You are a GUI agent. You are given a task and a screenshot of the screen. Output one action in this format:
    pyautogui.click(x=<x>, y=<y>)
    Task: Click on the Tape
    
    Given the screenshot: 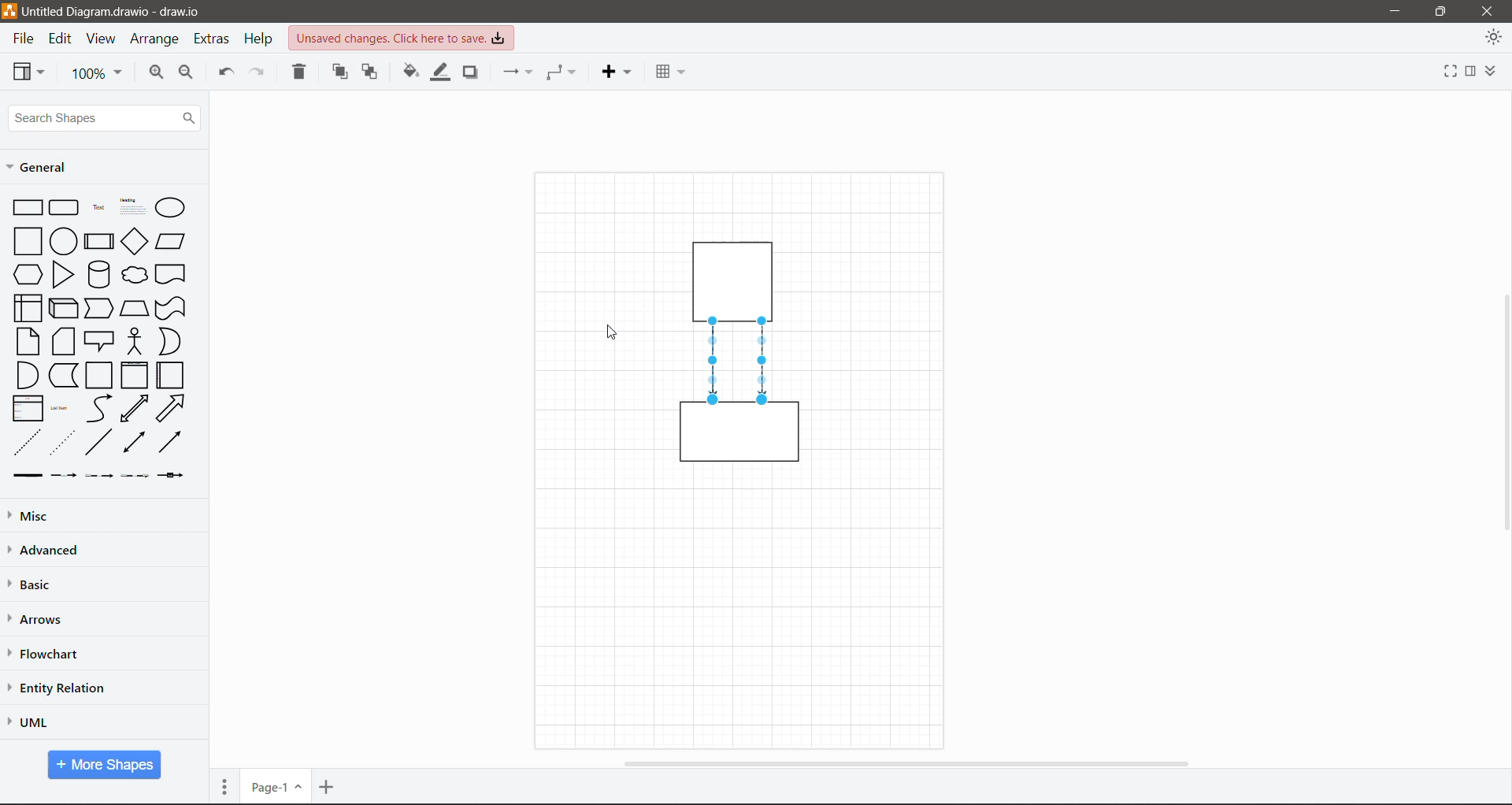 What is the action you would take?
    pyautogui.click(x=172, y=307)
    